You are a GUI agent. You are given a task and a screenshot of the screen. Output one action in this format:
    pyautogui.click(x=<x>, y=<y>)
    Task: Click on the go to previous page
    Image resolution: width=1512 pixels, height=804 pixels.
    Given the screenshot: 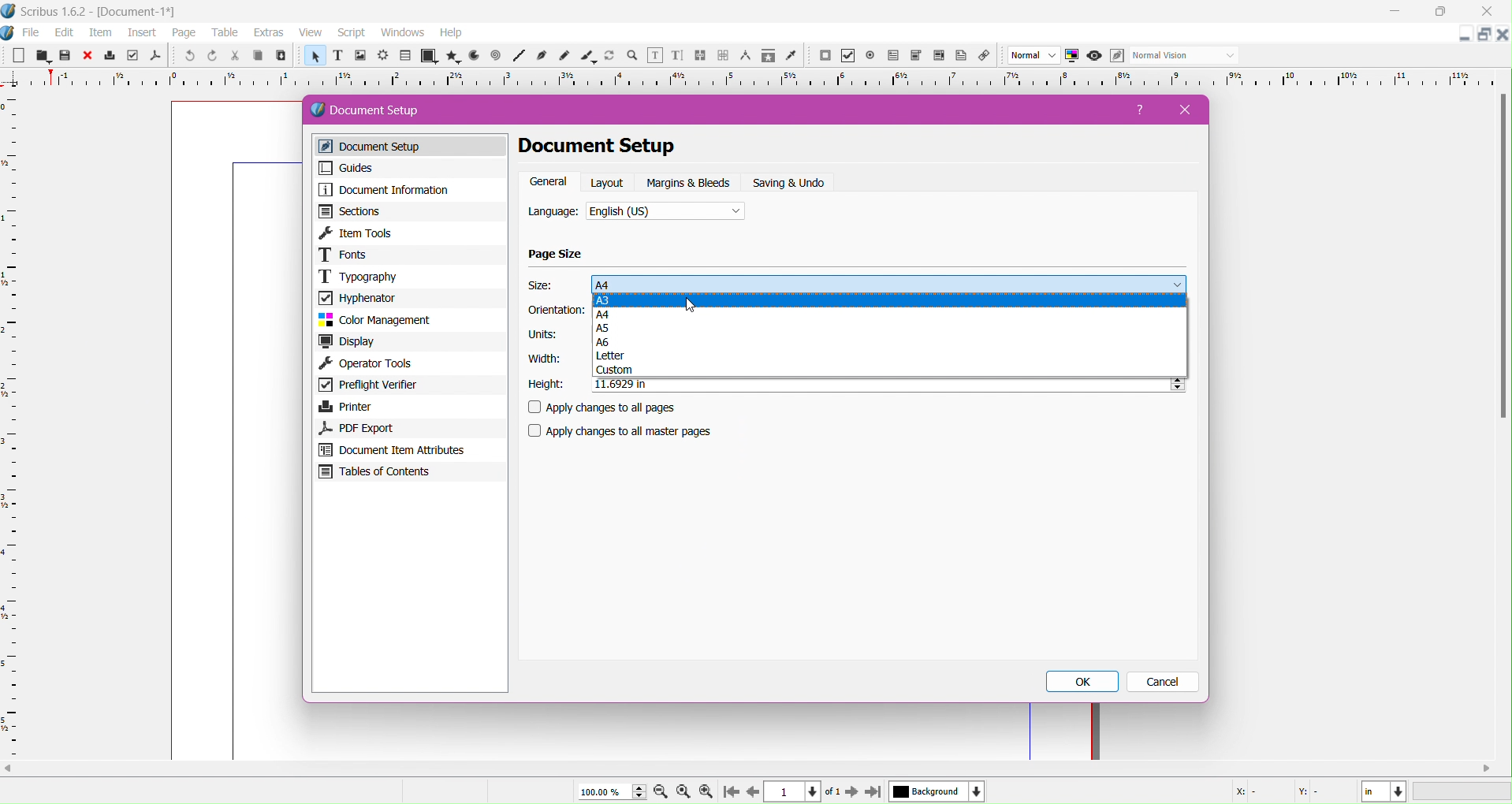 What is the action you would take?
    pyautogui.click(x=753, y=792)
    